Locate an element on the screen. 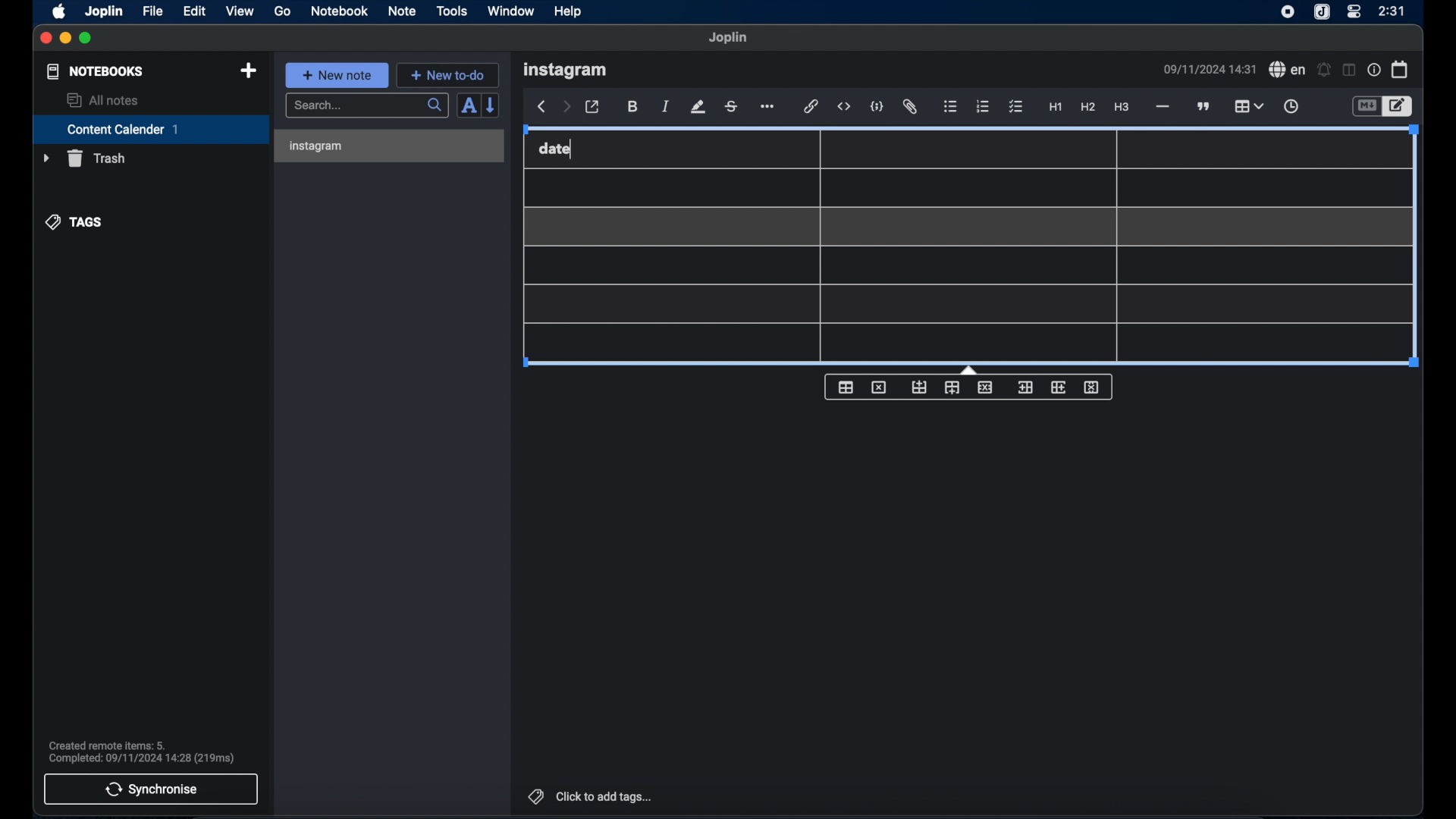 The height and width of the screenshot is (819, 1456). Created remote items: 5.
Completed: 09/11/2024 14:28 (219ms) is located at coordinates (140, 749).